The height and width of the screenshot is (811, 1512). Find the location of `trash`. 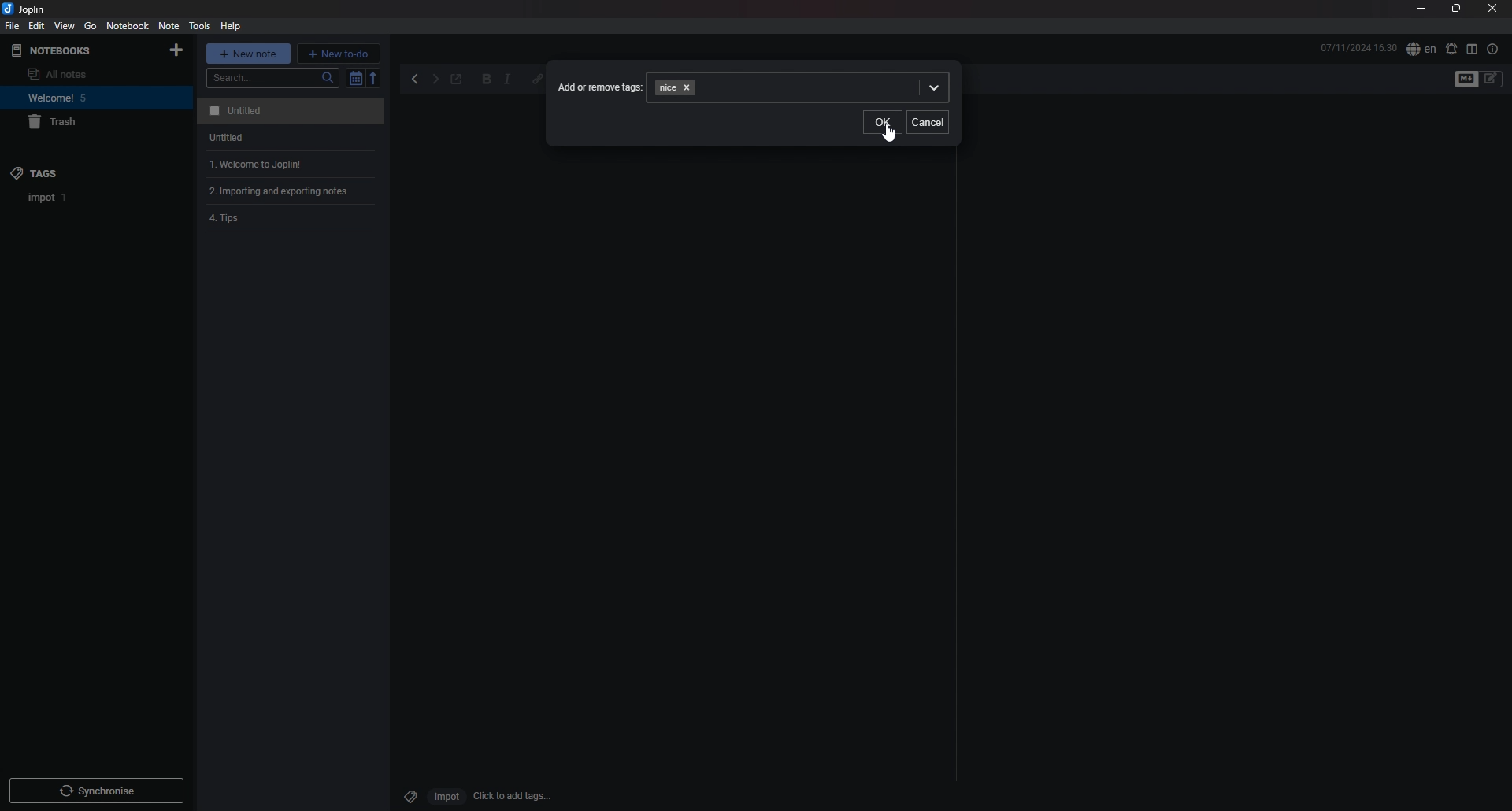

trash is located at coordinates (83, 123).